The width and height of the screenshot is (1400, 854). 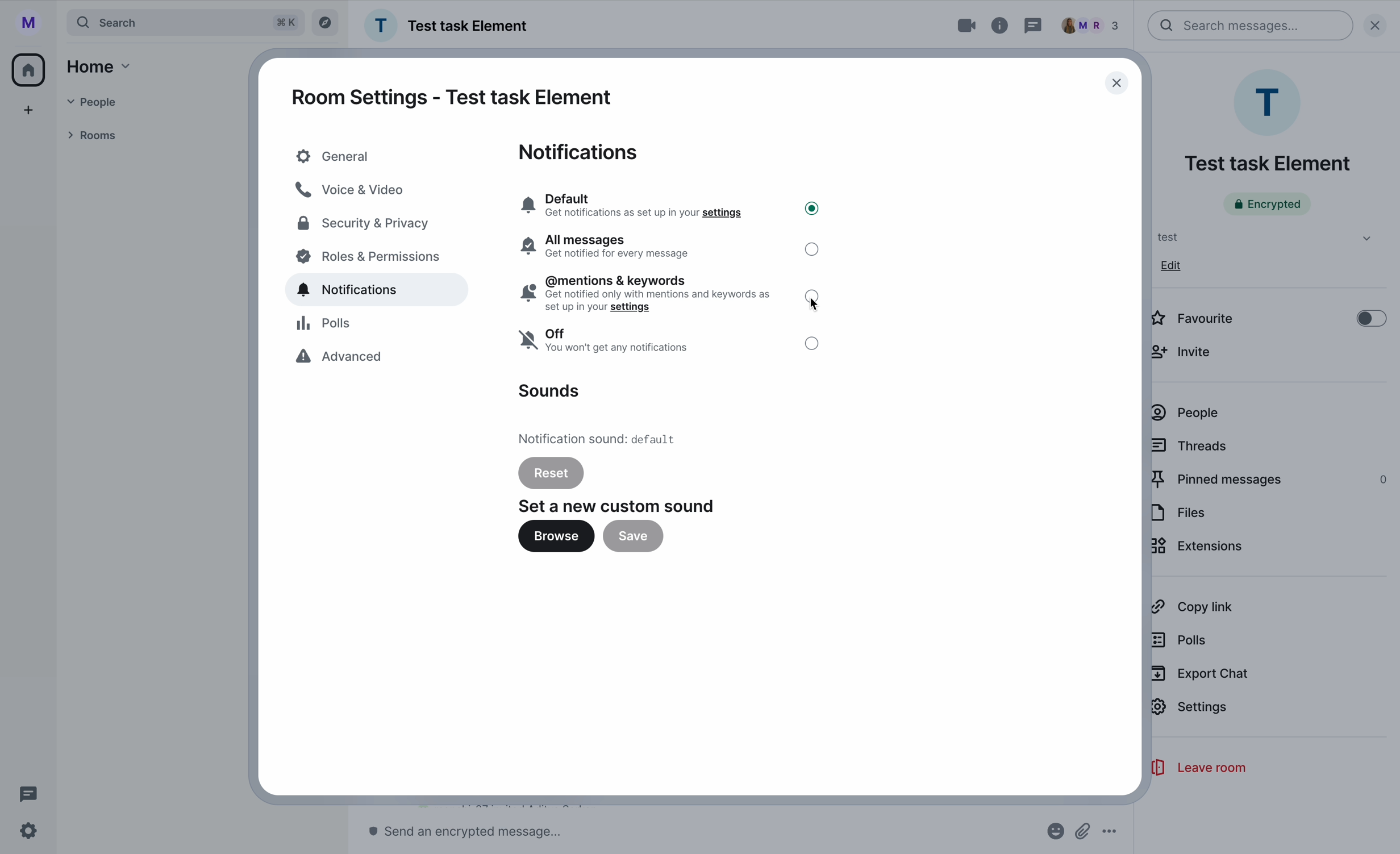 What do you see at coordinates (670, 247) in the screenshot?
I see `all messages` at bounding box center [670, 247].